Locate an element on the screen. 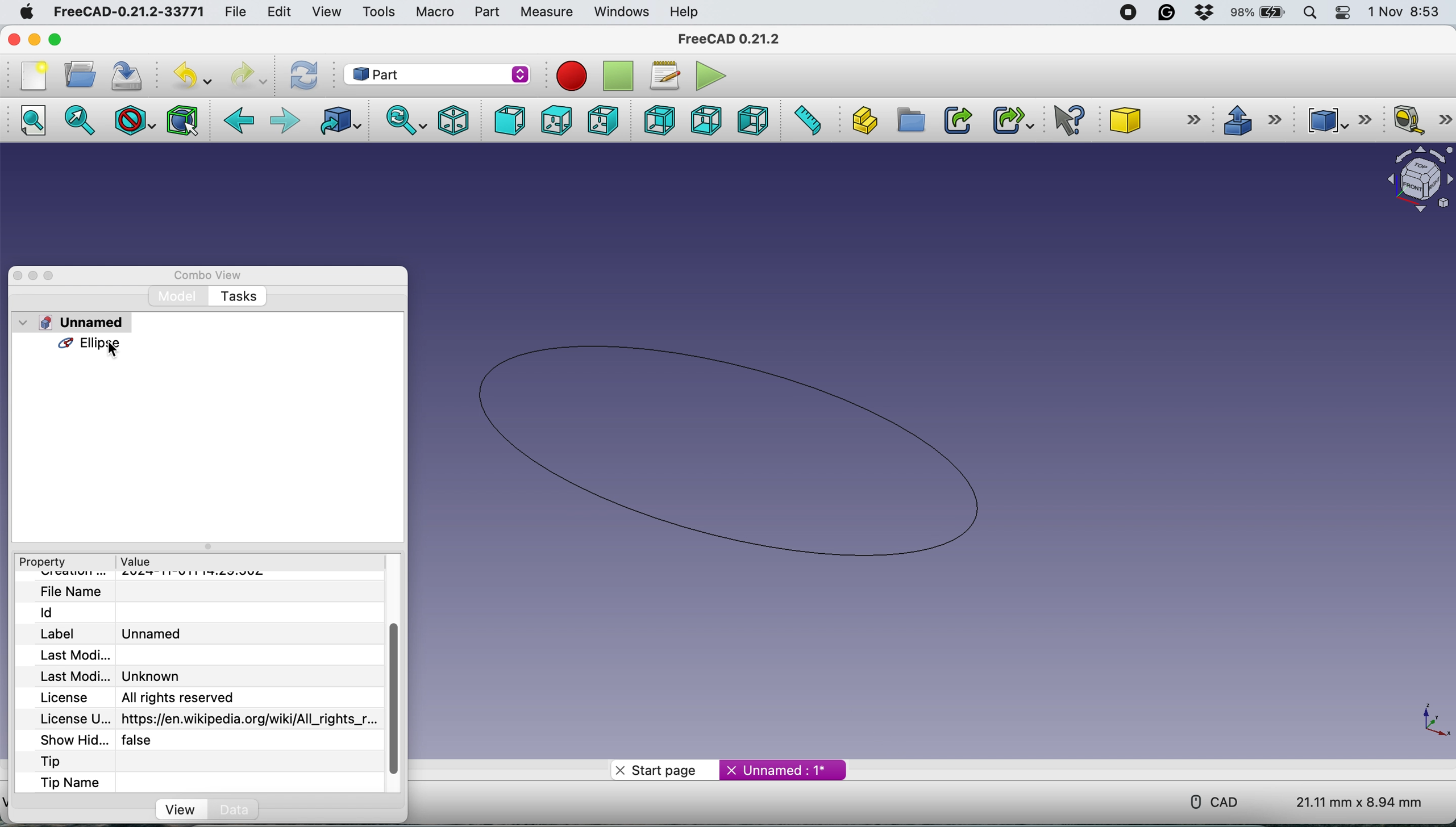 The image size is (1456, 827). isometric is located at coordinates (454, 119).